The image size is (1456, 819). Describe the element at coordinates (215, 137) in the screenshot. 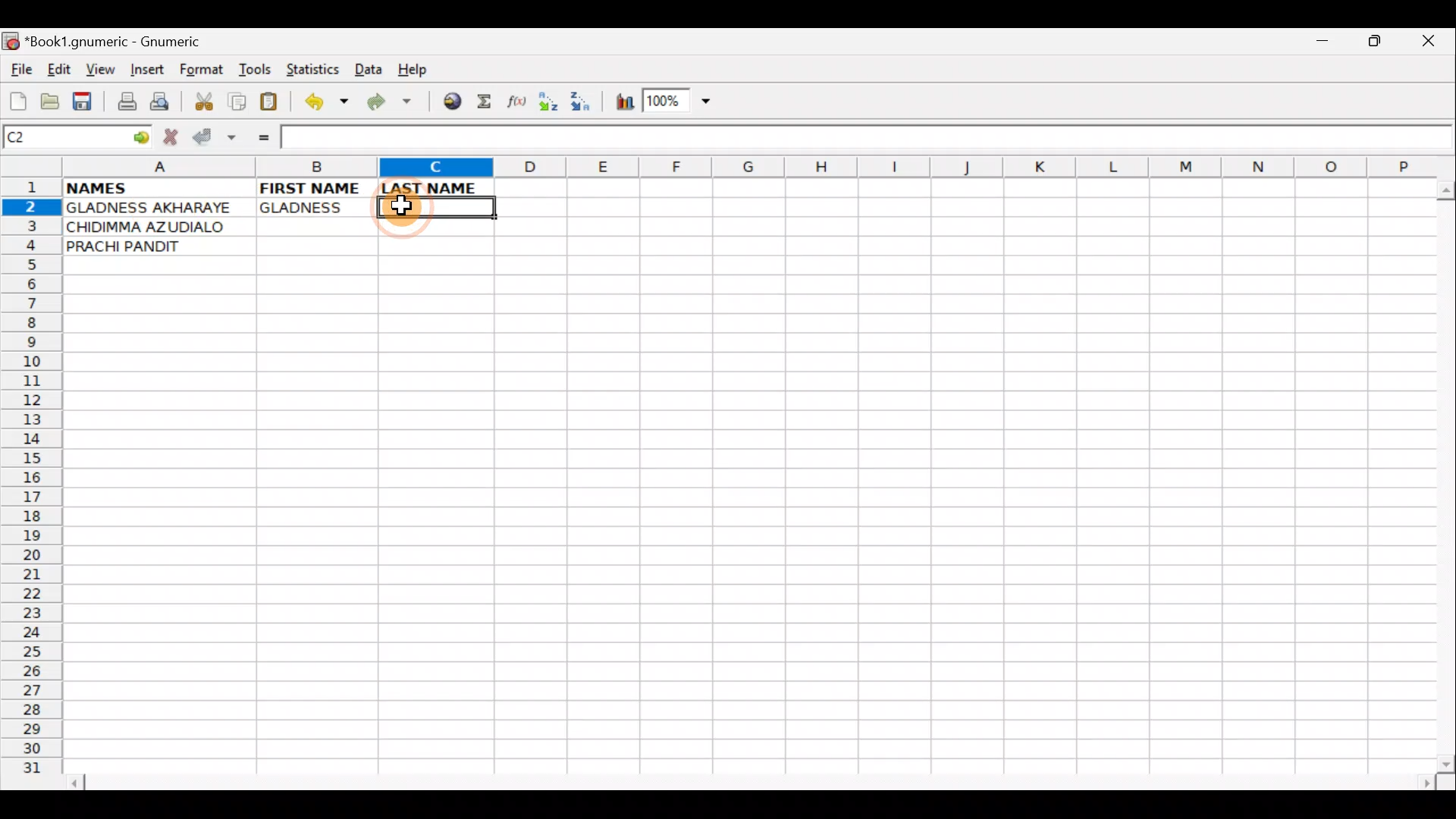

I see `Accept change` at that location.